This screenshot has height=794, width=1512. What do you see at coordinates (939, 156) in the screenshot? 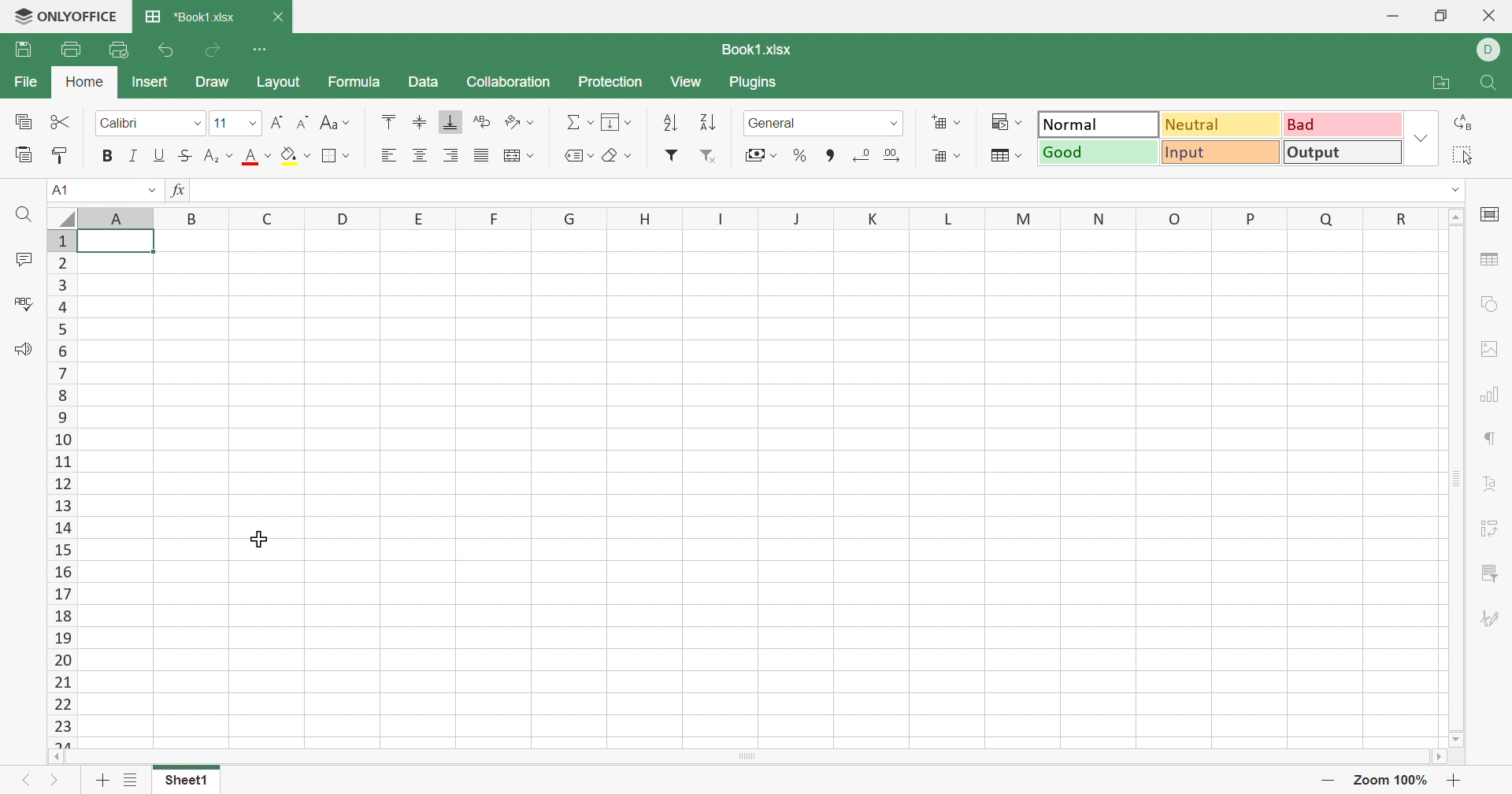
I see `Remove cells` at bounding box center [939, 156].